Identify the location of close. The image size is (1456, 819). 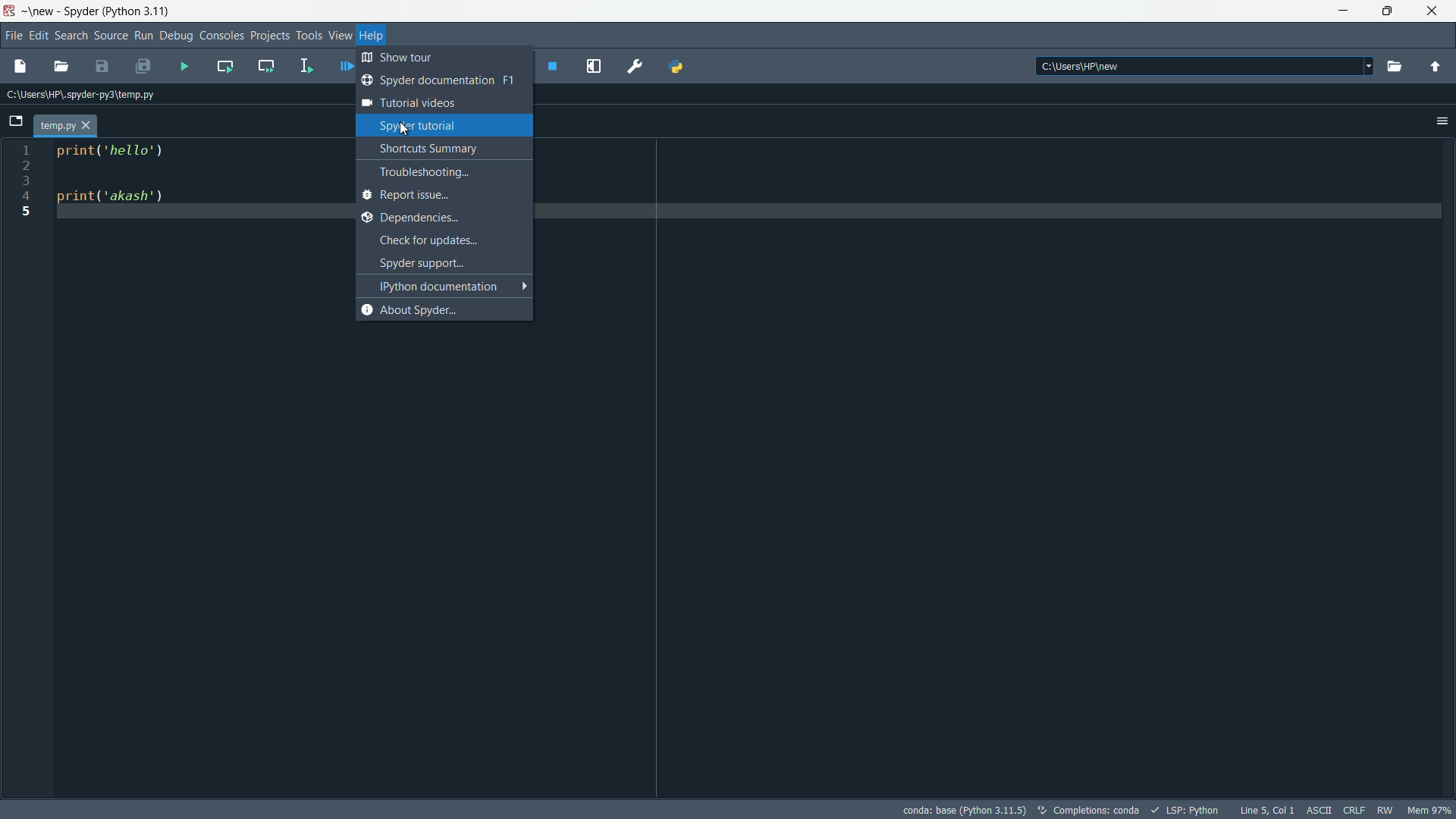
(1436, 14).